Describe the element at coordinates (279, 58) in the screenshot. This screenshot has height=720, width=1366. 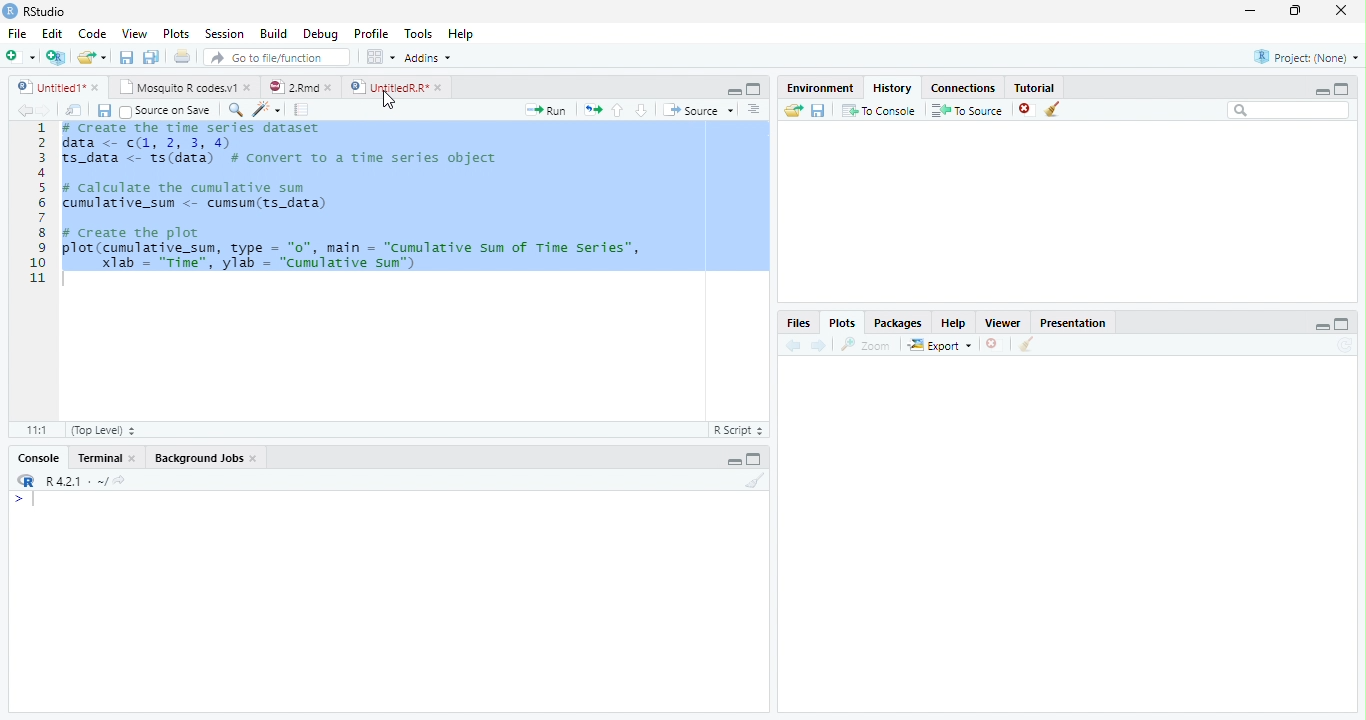
I see `Go to file/function` at that location.